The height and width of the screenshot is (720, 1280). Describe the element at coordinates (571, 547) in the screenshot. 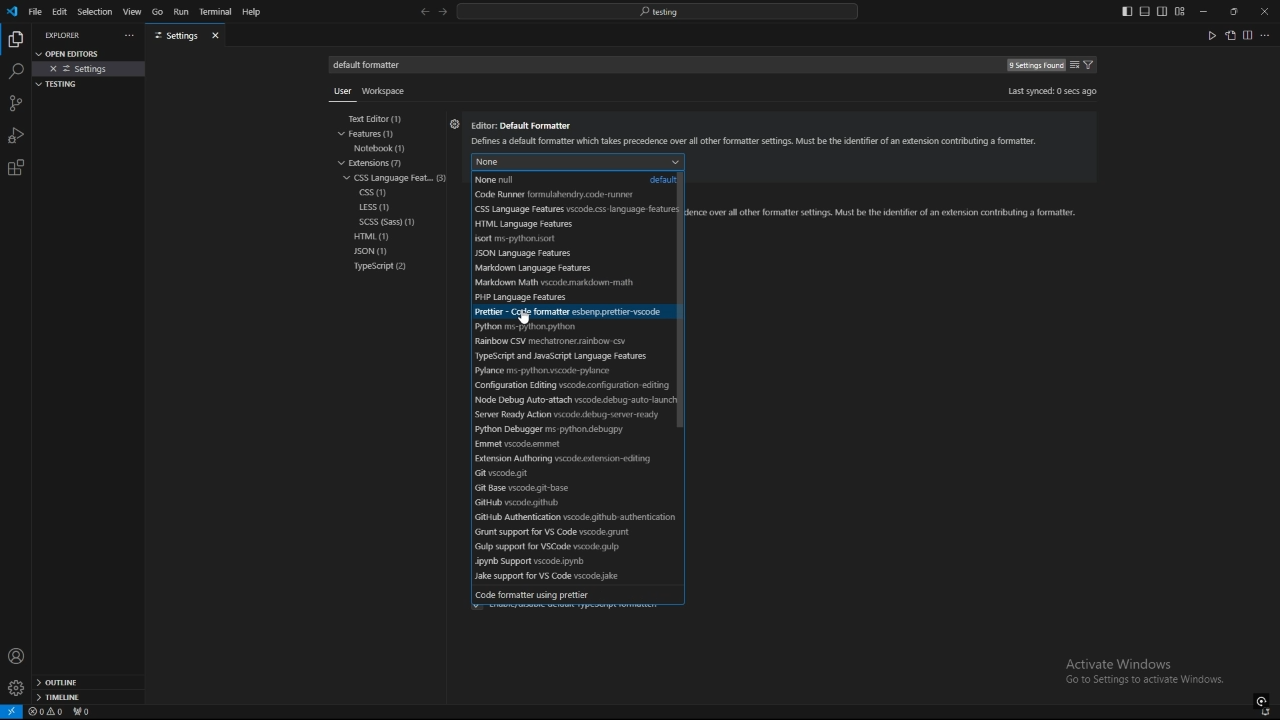

I see `gulp support for vscode` at that location.